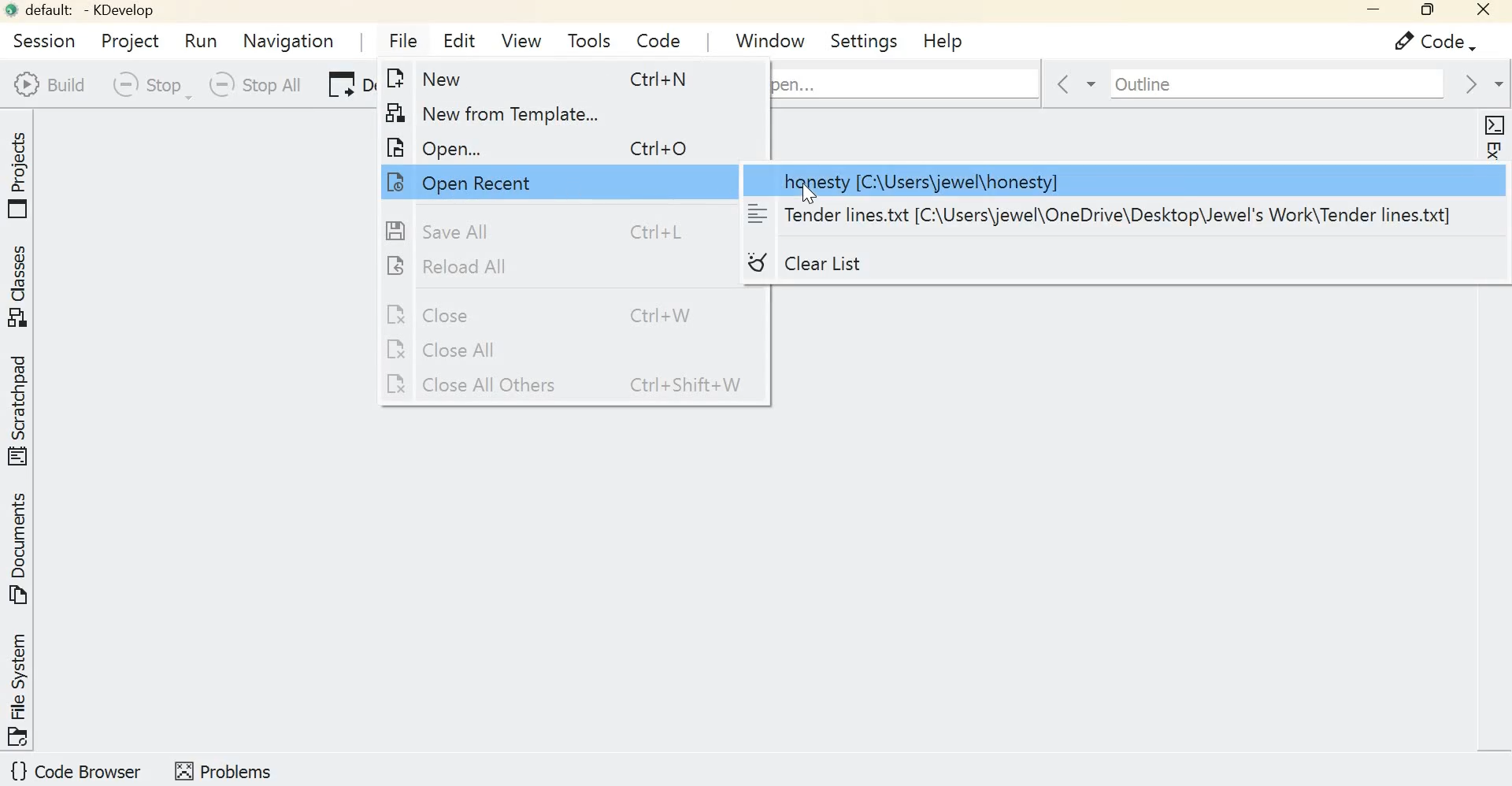 Image resolution: width=1512 pixels, height=786 pixels. What do you see at coordinates (148, 85) in the screenshot?
I see `Menu allowing to Stop all individual jobs` at bounding box center [148, 85].